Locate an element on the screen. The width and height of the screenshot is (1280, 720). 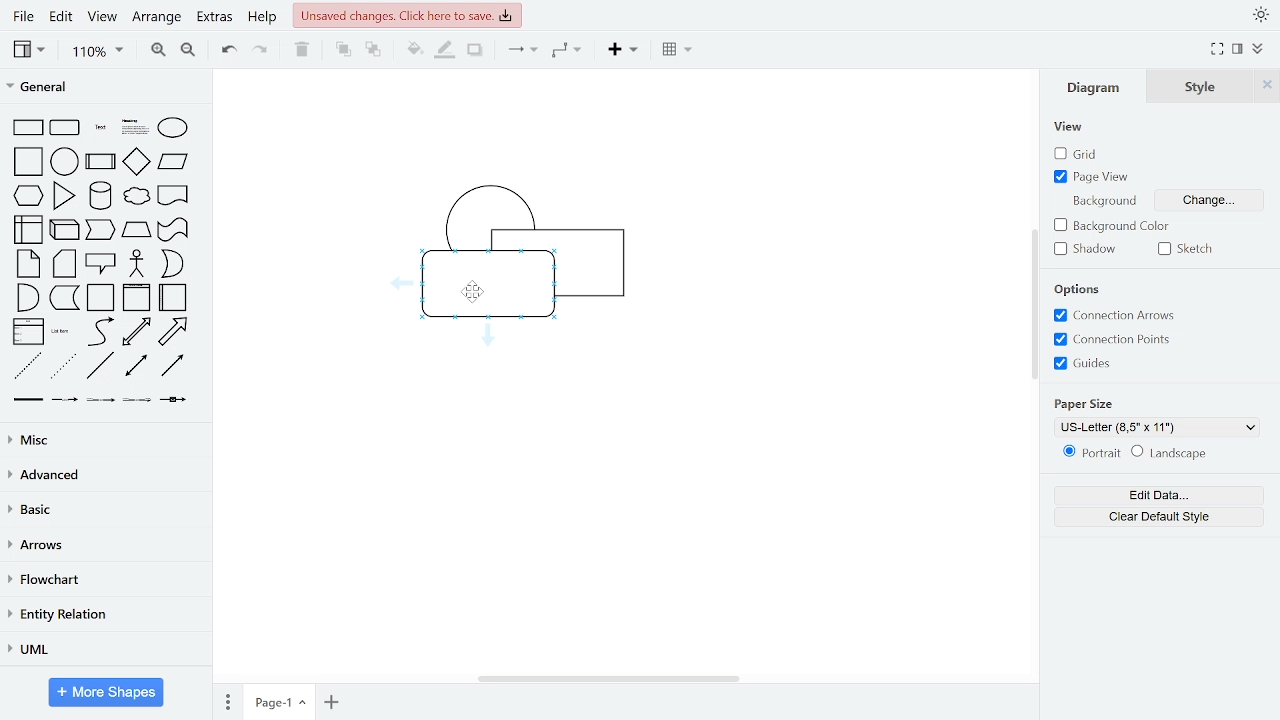
connector is located at coordinates (521, 55).